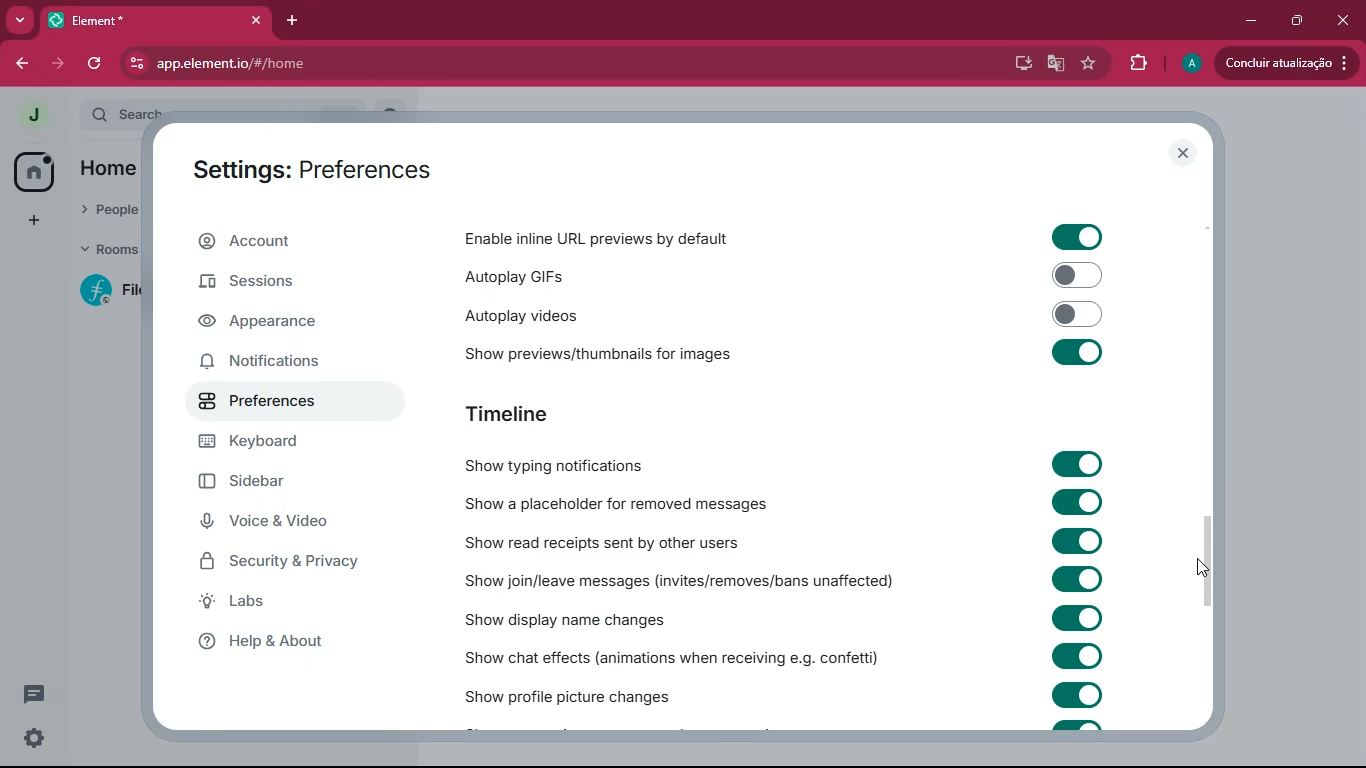  Describe the element at coordinates (99, 64) in the screenshot. I see `refresh` at that location.